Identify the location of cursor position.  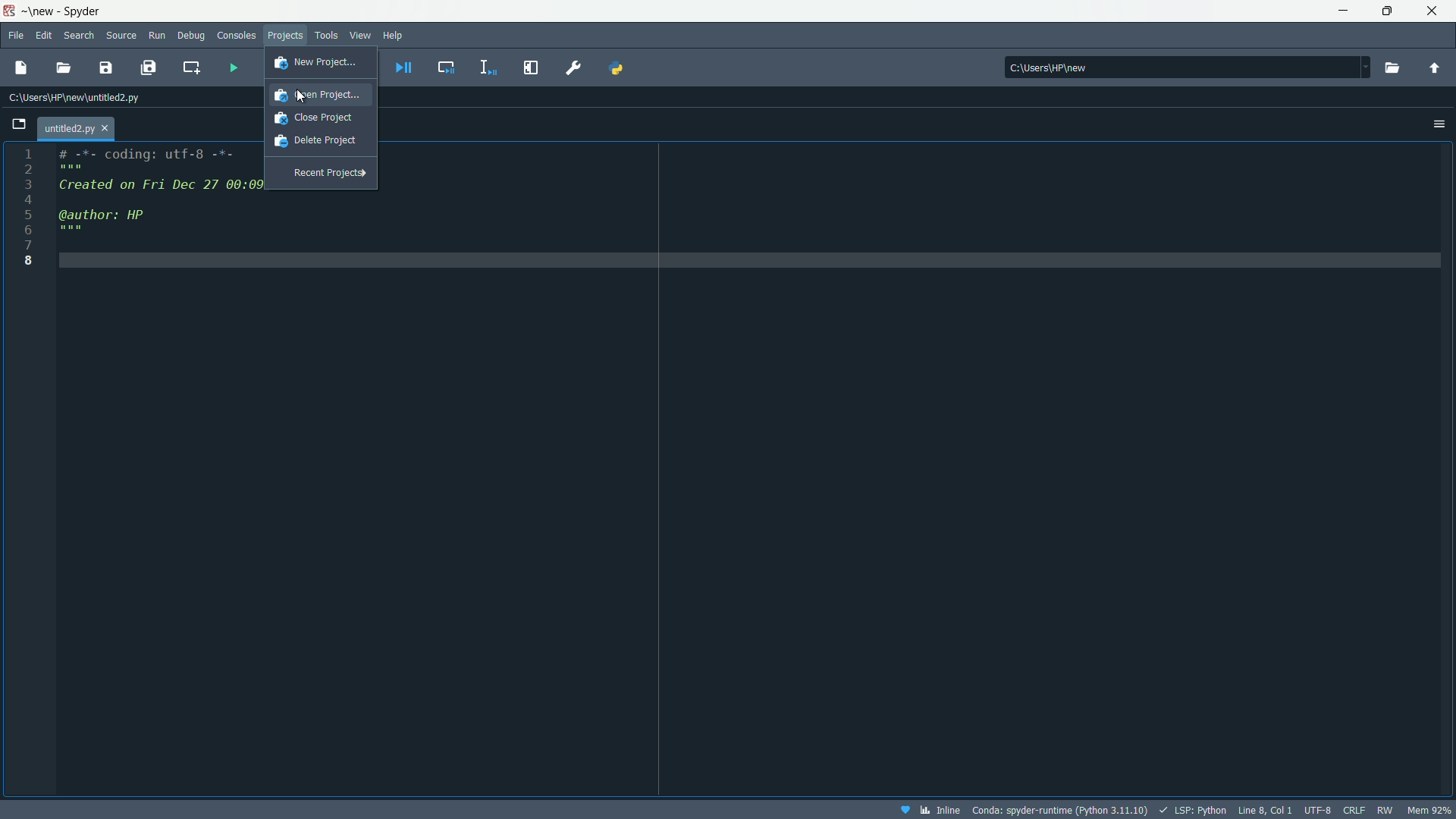
(1263, 808).